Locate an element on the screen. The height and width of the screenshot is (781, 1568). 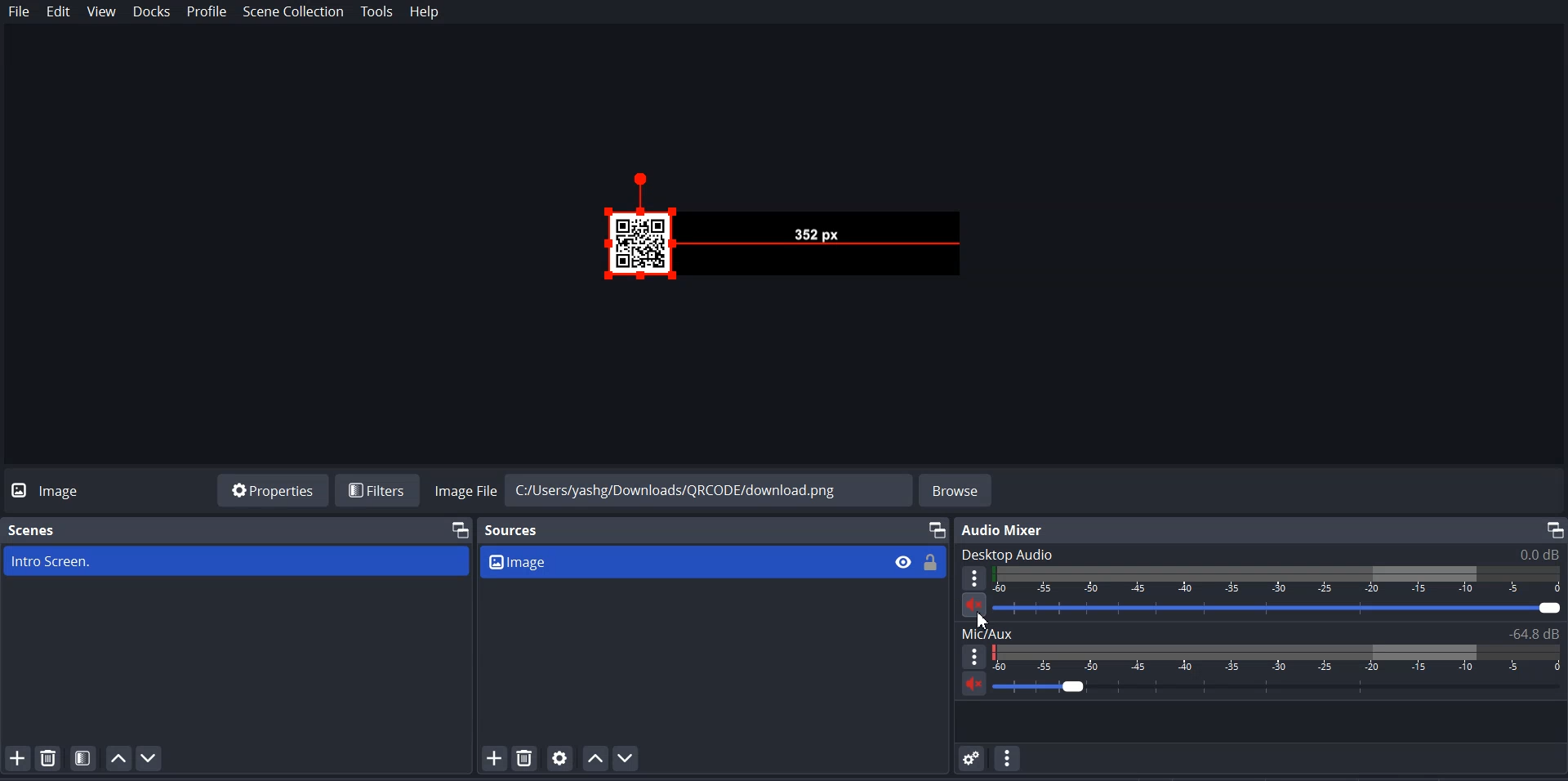
Help is located at coordinates (425, 12).